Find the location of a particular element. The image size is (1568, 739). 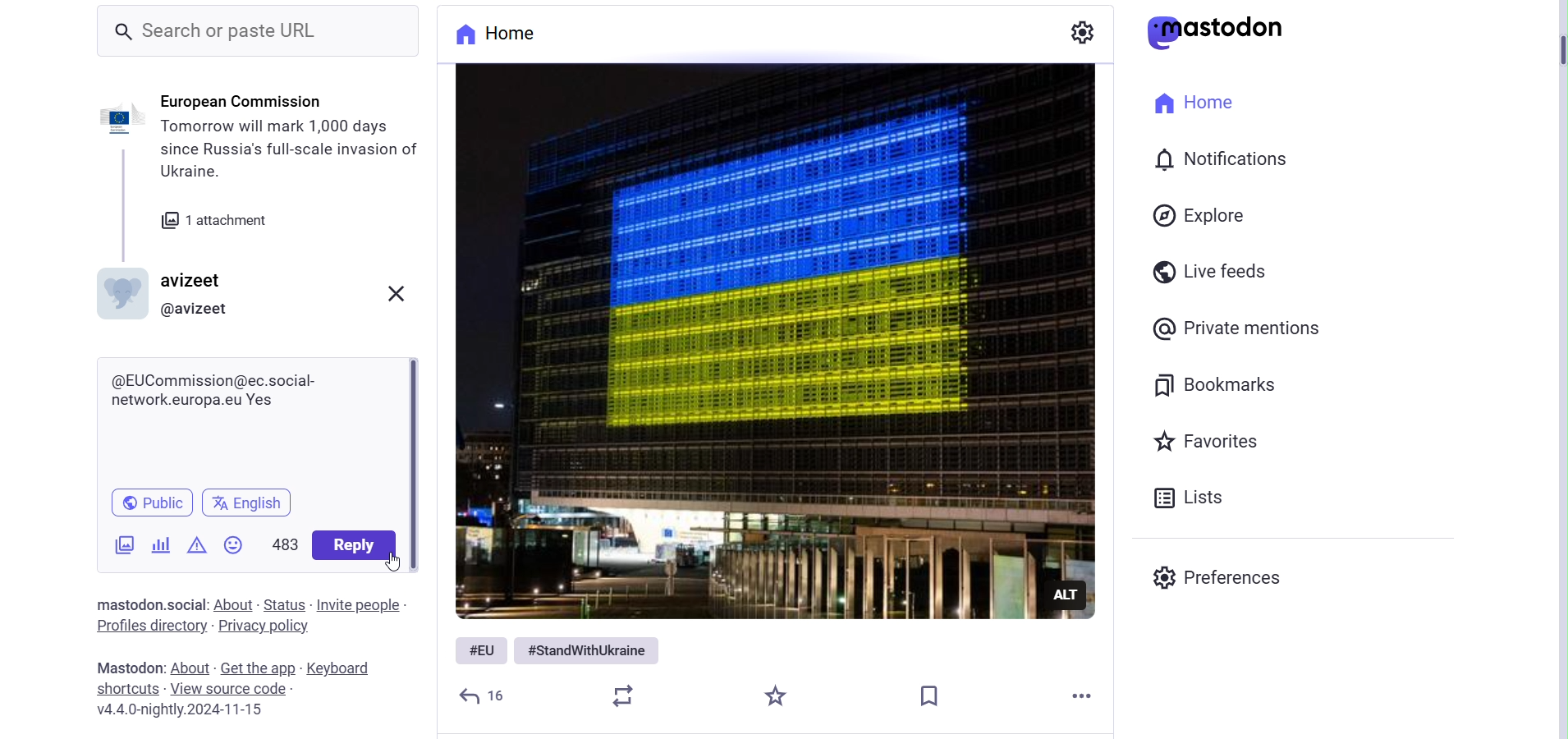

Notification is located at coordinates (1218, 156).